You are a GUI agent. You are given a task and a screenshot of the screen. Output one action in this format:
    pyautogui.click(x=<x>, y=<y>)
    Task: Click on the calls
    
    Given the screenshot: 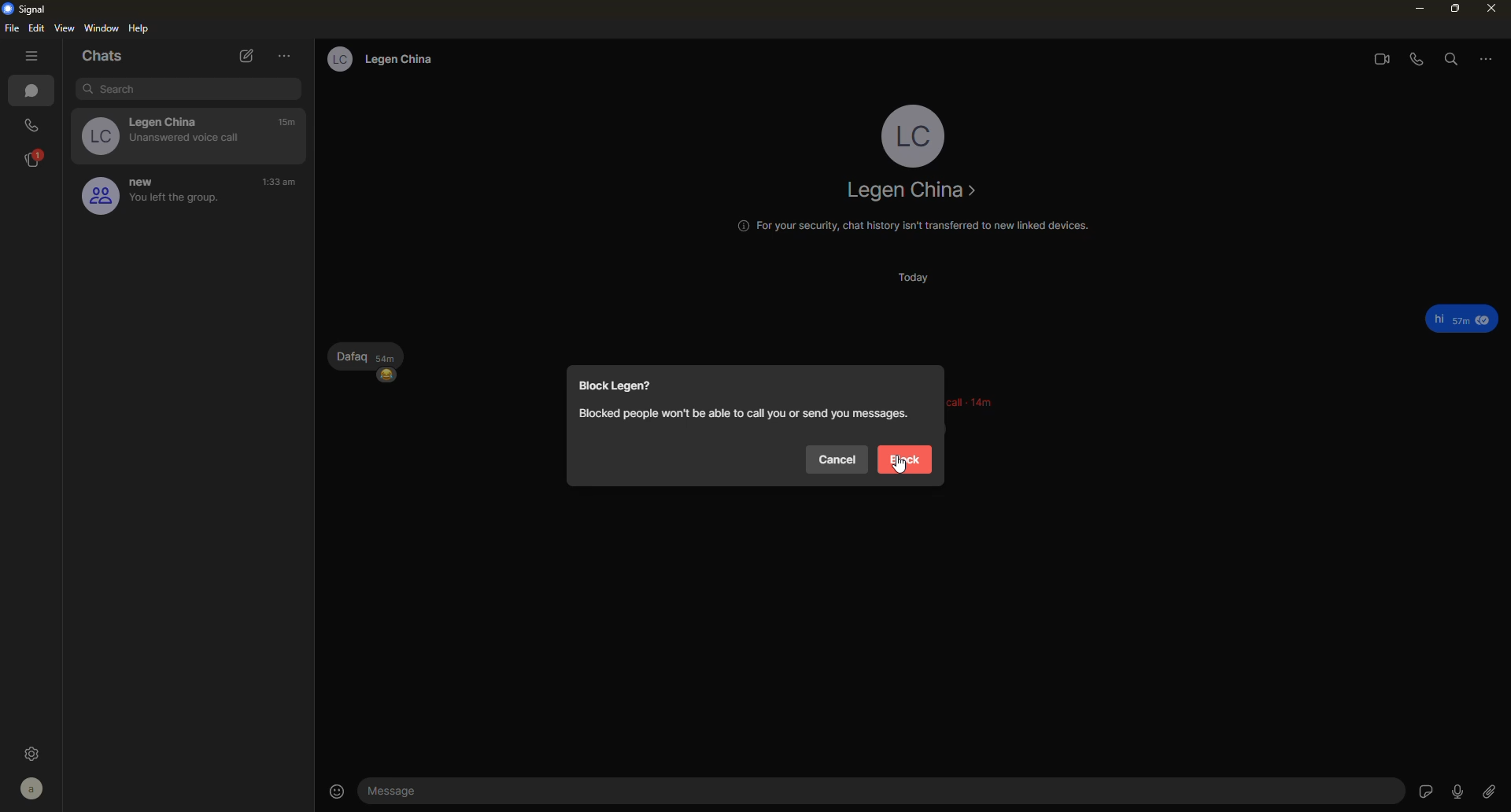 What is the action you would take?
    pyautogui.click(x=33, y=124)
    